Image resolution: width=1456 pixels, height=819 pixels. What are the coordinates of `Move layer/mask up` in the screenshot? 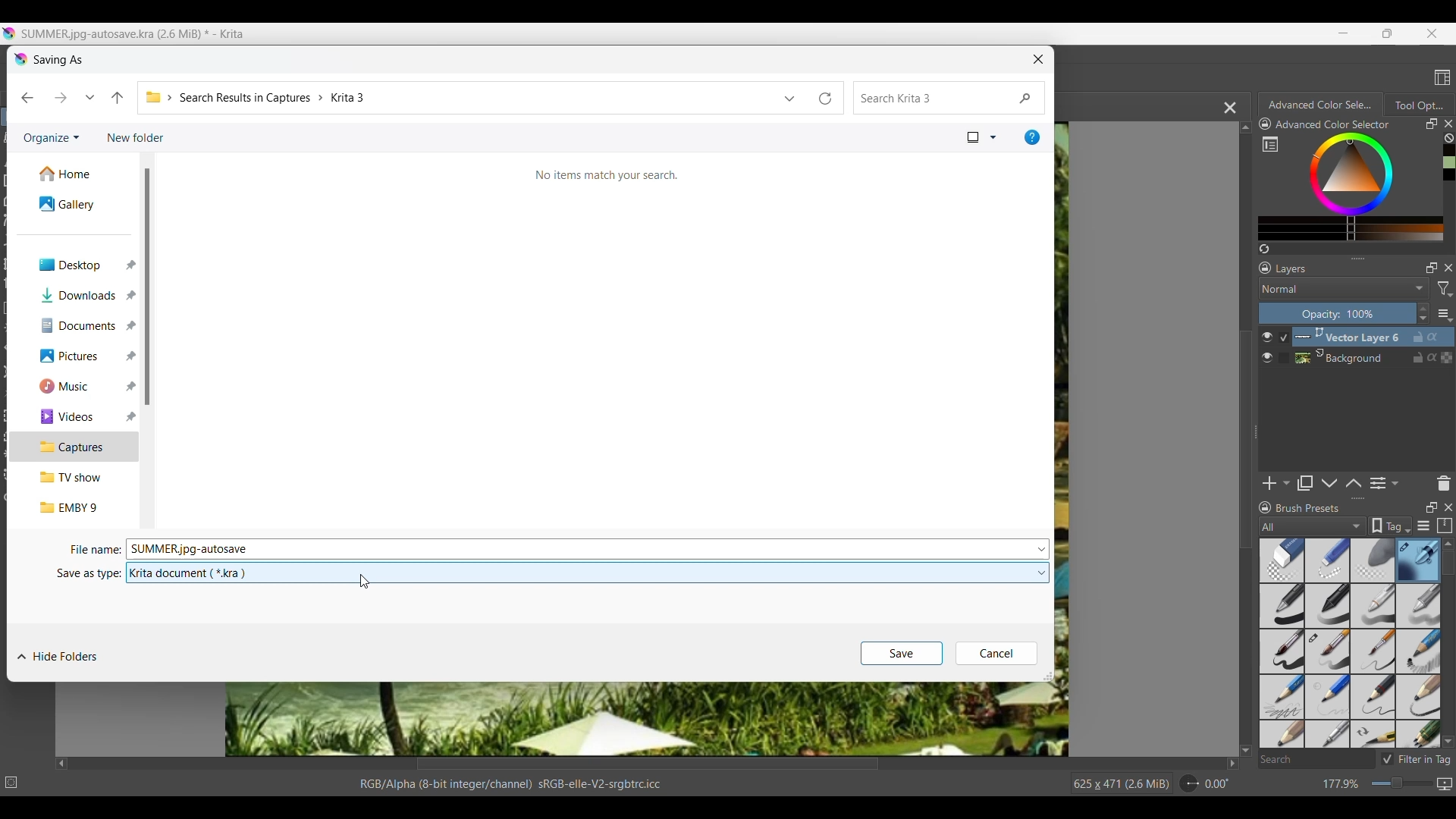 It's located at (1353, 483).